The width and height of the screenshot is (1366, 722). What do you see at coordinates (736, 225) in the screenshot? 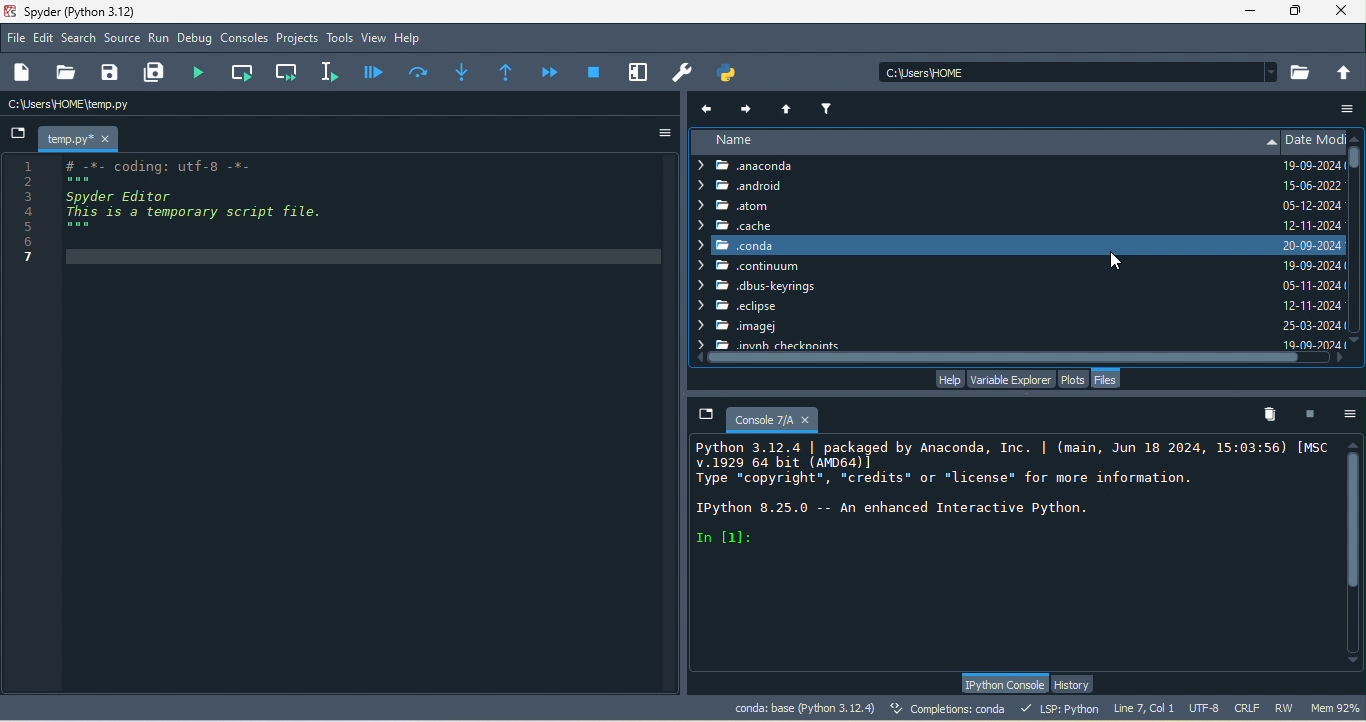
I see `cache` at bounding box center [736, 225].